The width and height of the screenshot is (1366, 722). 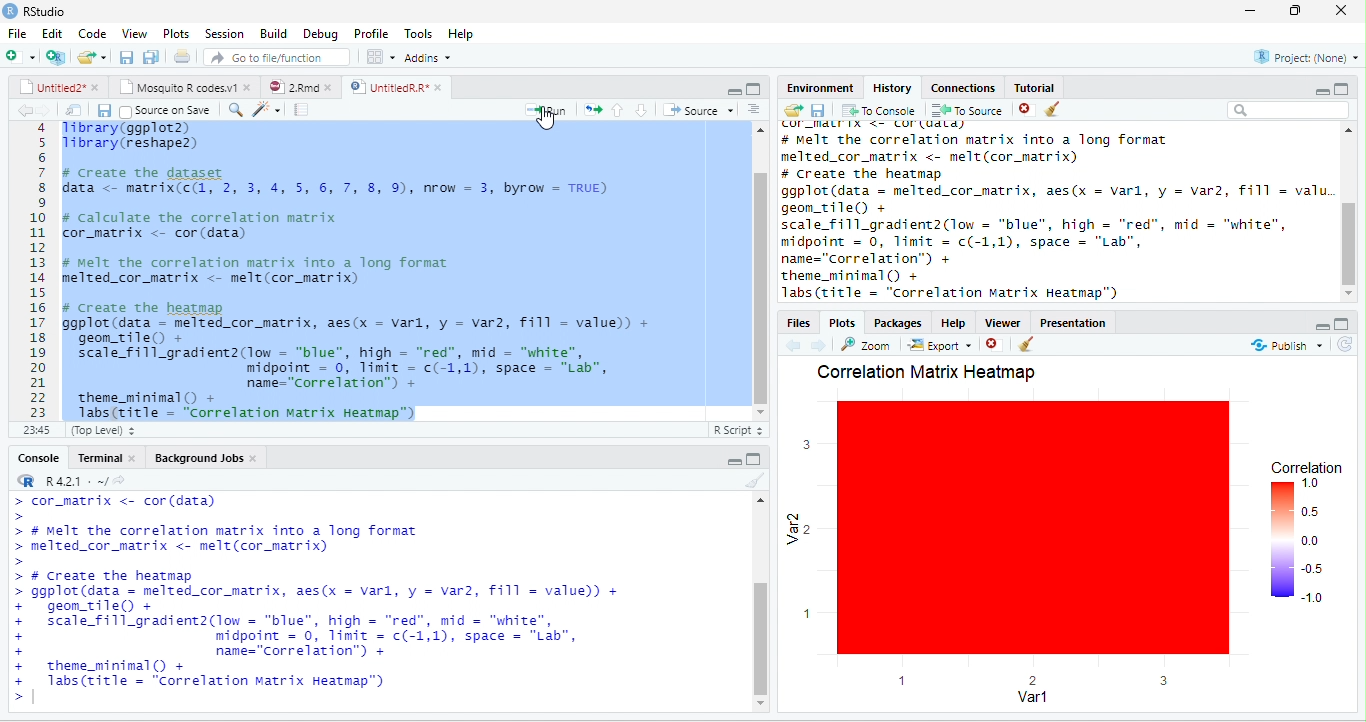 What do you see at coordinates (1001, 320) in the screenshot?
I see `viewer` at bounding box center [1001, 320].